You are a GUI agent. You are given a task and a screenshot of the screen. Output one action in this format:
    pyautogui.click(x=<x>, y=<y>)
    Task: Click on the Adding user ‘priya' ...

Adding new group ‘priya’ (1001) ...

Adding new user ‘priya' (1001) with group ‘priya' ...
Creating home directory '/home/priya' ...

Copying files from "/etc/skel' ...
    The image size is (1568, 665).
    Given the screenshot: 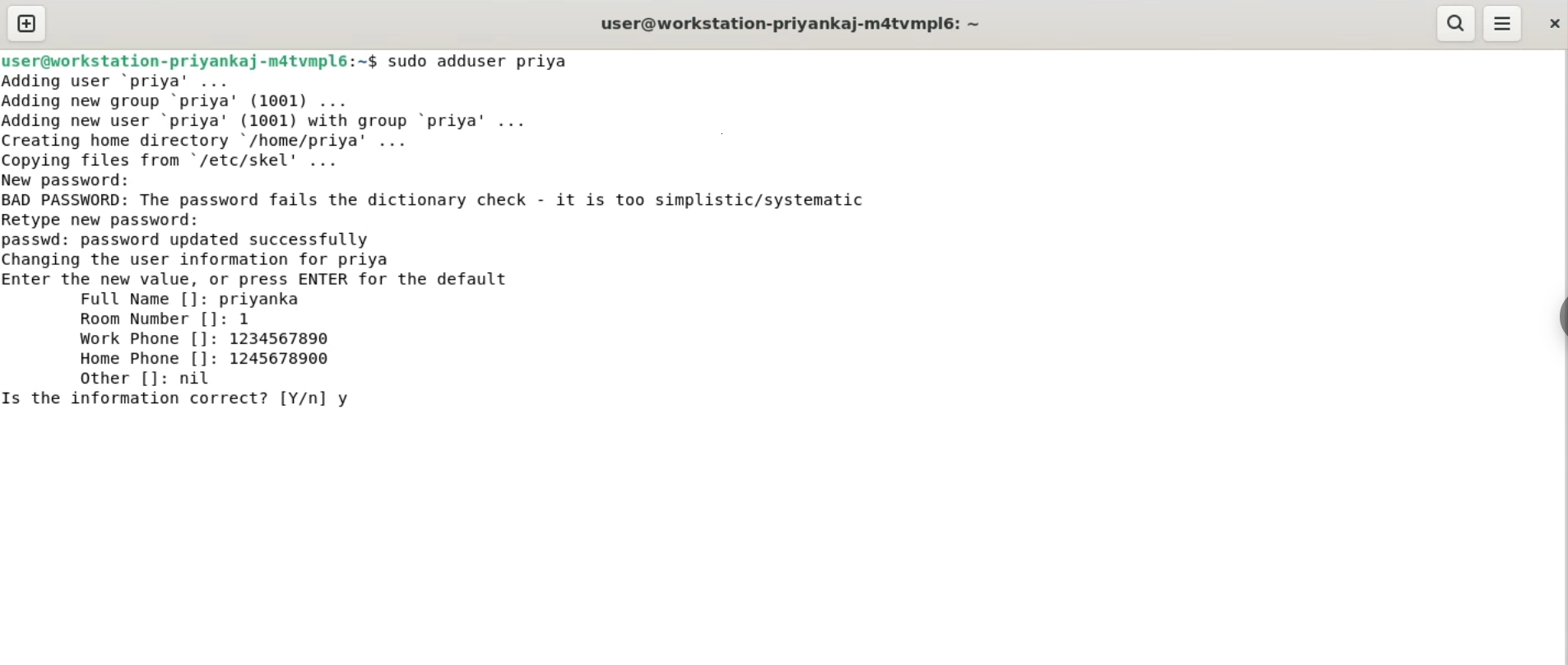 What is the action you would take?
    pyautogui.click(x=274, y=121)
    